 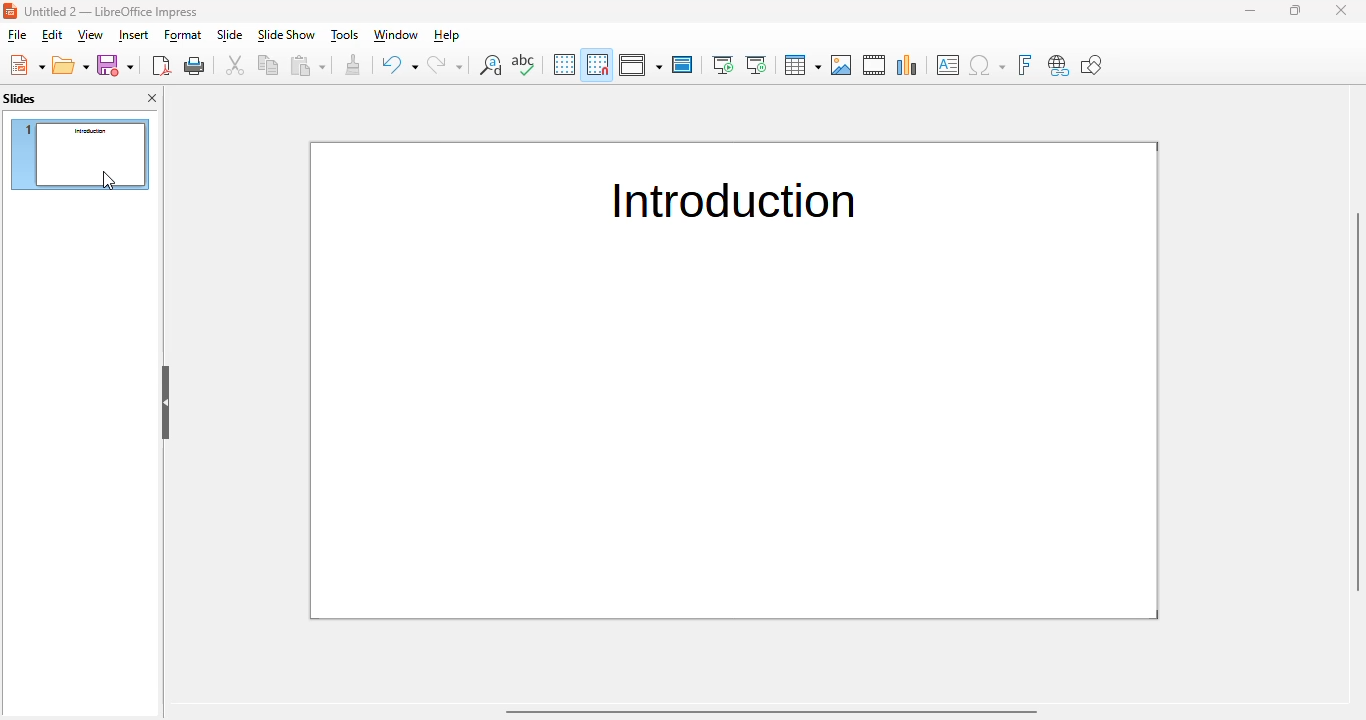 What do you see at coordinates (27, 65) in the screenshot?
I see `new` at bounding box center [27, 65].